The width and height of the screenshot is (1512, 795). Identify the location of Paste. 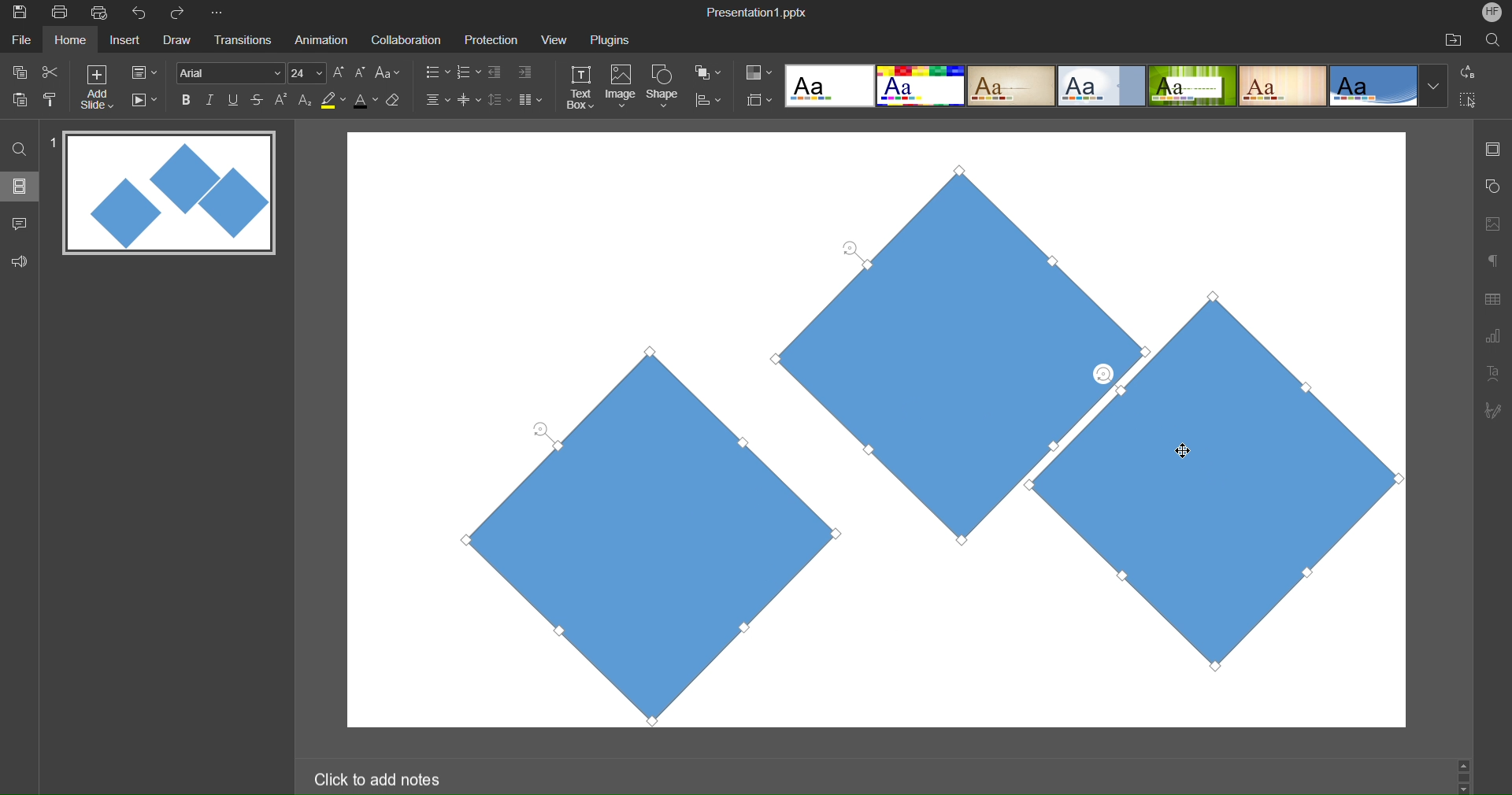
(20, 98).